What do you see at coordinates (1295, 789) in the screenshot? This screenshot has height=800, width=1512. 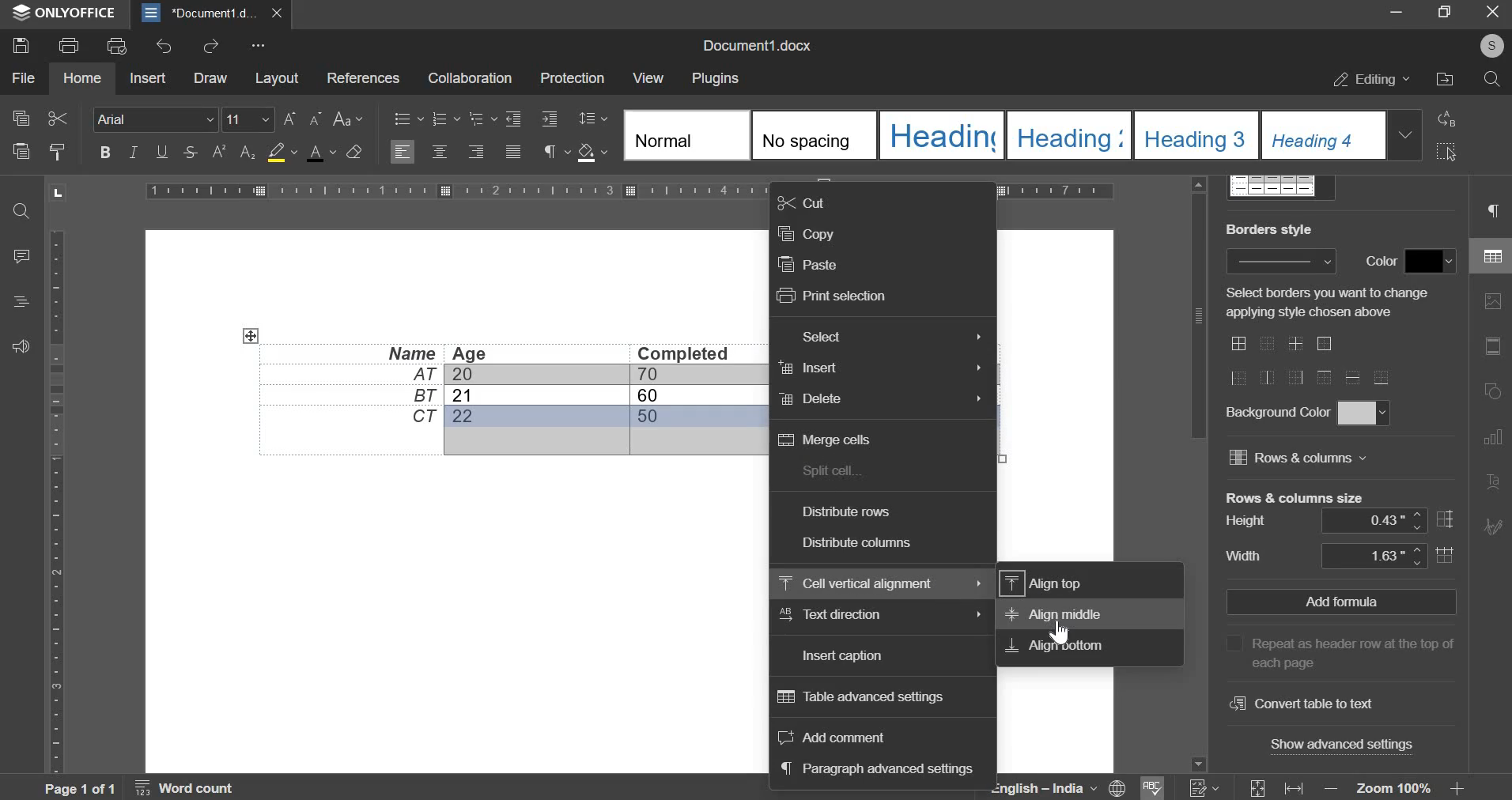 I see `fit to width` at bounding box center [1295, 789].